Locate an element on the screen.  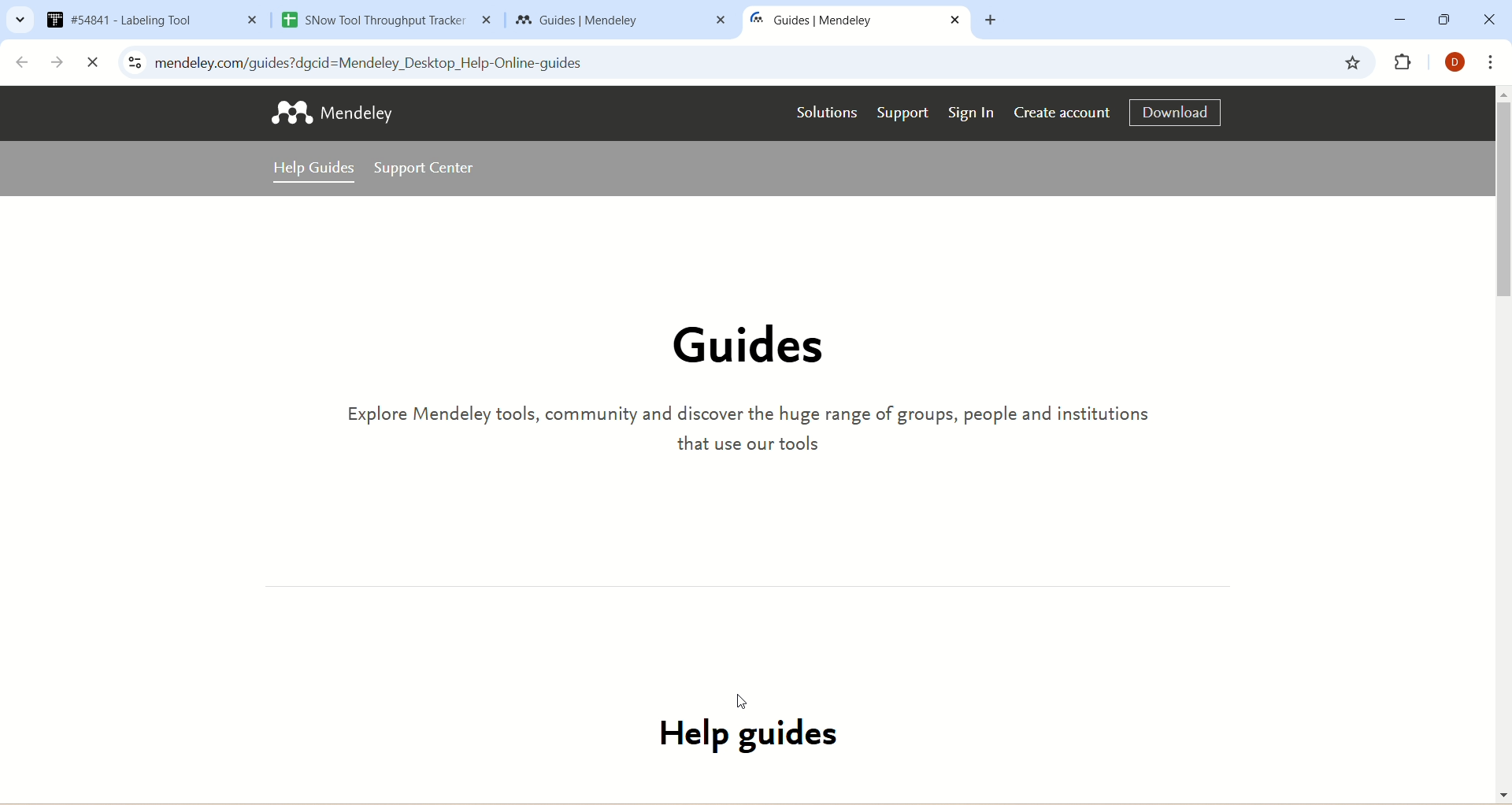
solutions is located at coordinates (828, 113).